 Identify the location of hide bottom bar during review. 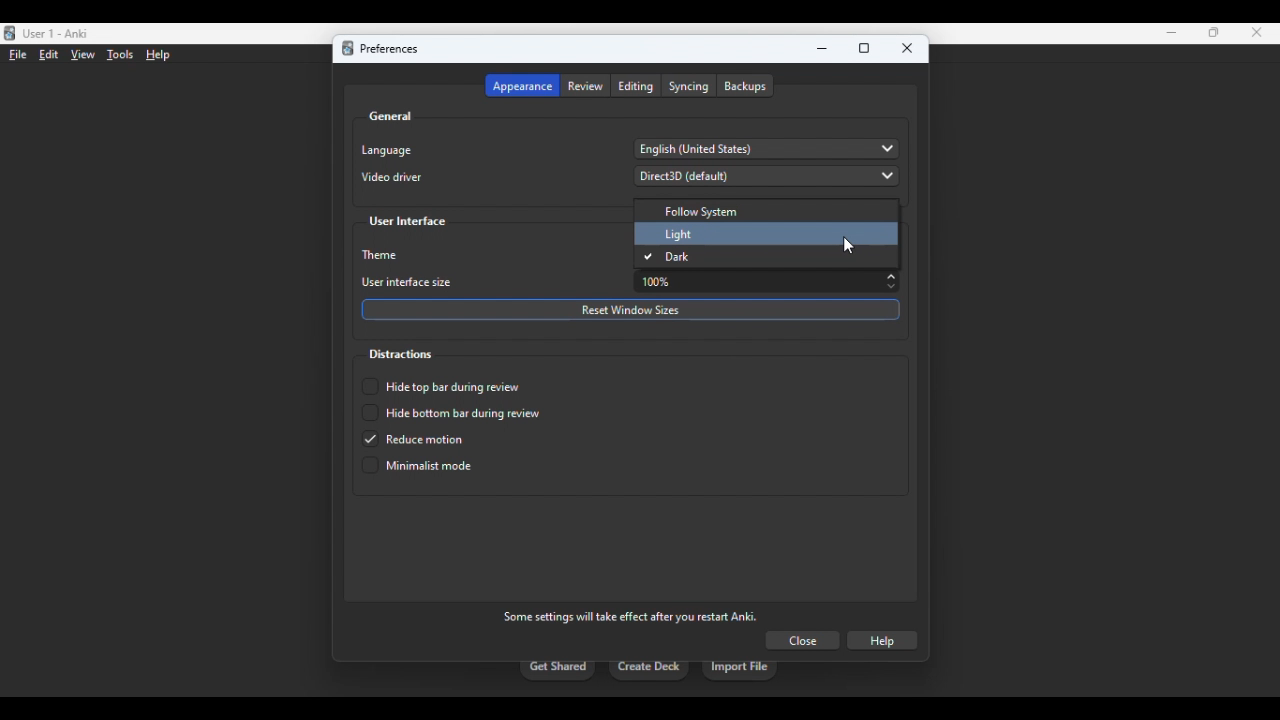
(450, 413).